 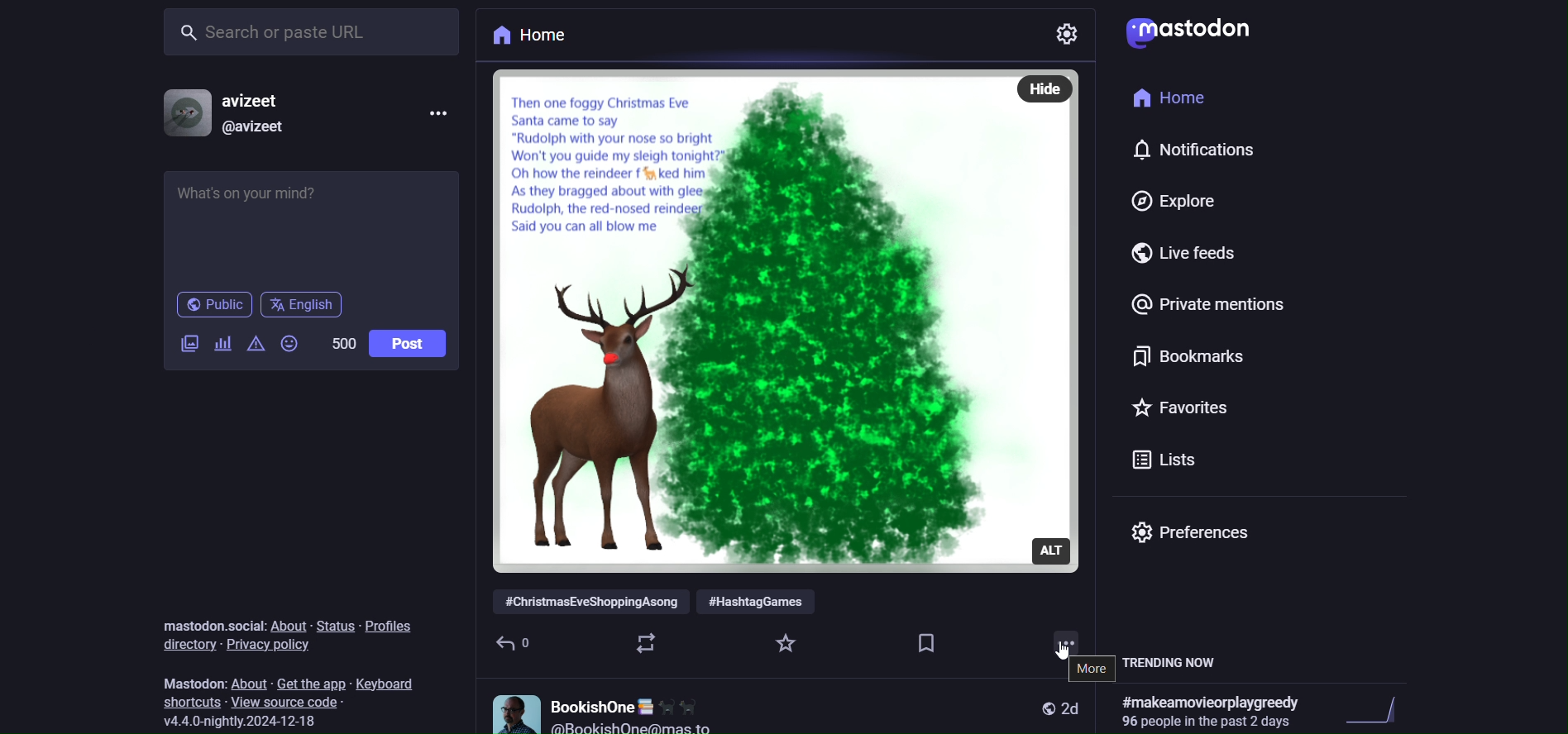 I want to click on hide, so click(x=1046, y=89).